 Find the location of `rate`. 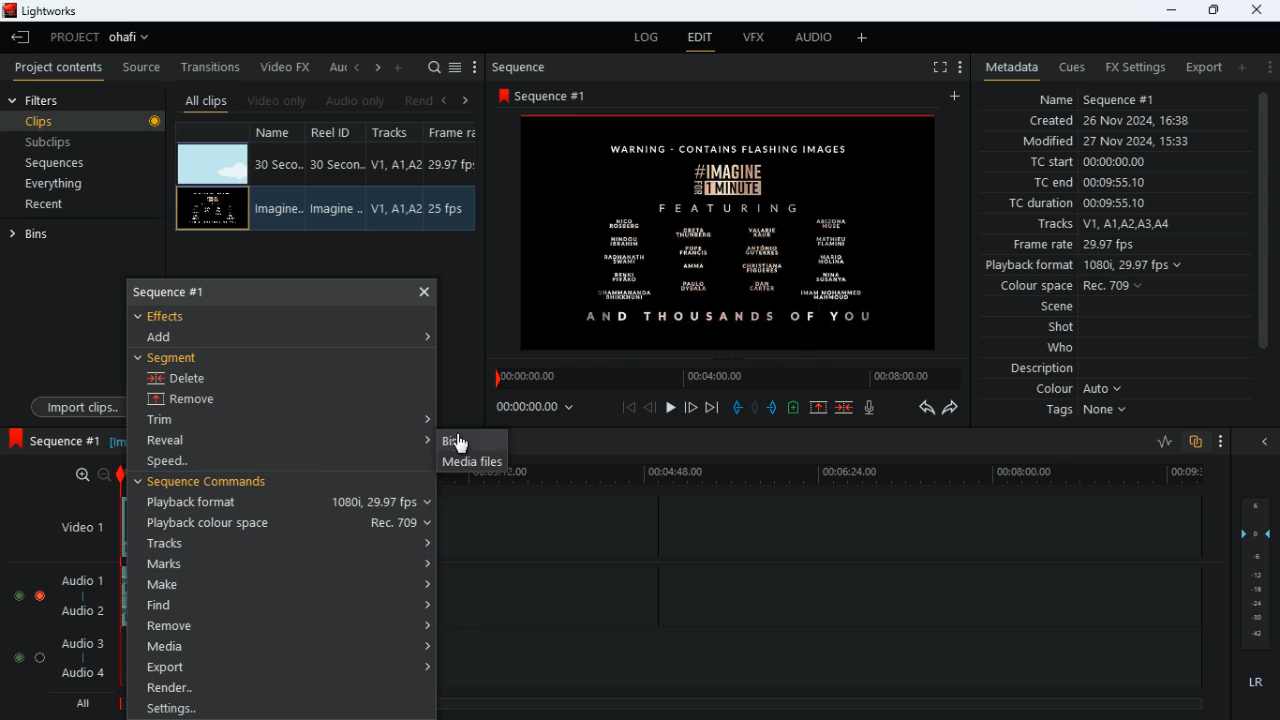

rate is located at coordinates (1157, 442).